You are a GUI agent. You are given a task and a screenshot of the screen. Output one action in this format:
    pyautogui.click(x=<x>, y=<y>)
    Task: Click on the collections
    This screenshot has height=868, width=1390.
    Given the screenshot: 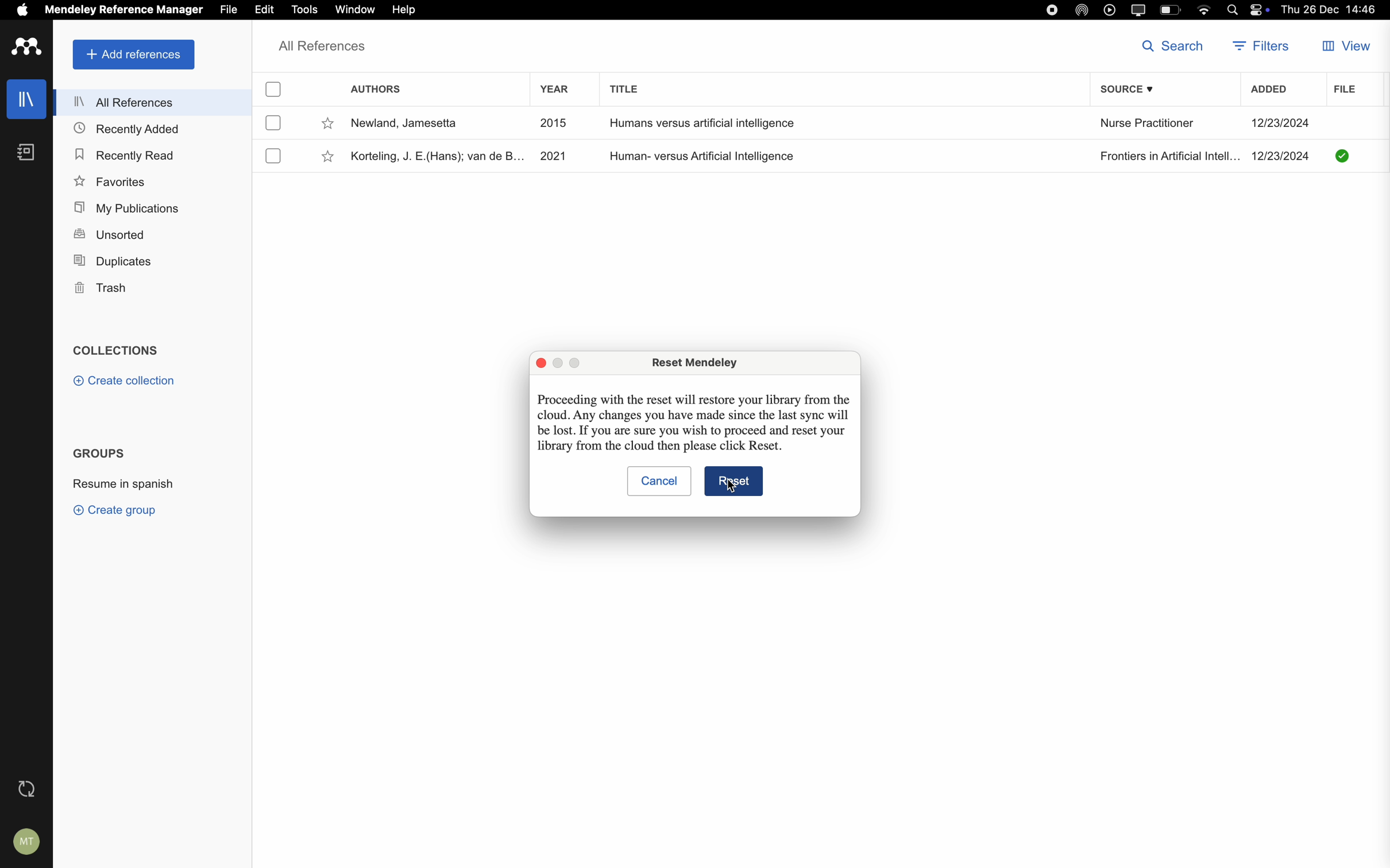 What is the action you would take?
    pyautogui.click(x=117, y=350)
    